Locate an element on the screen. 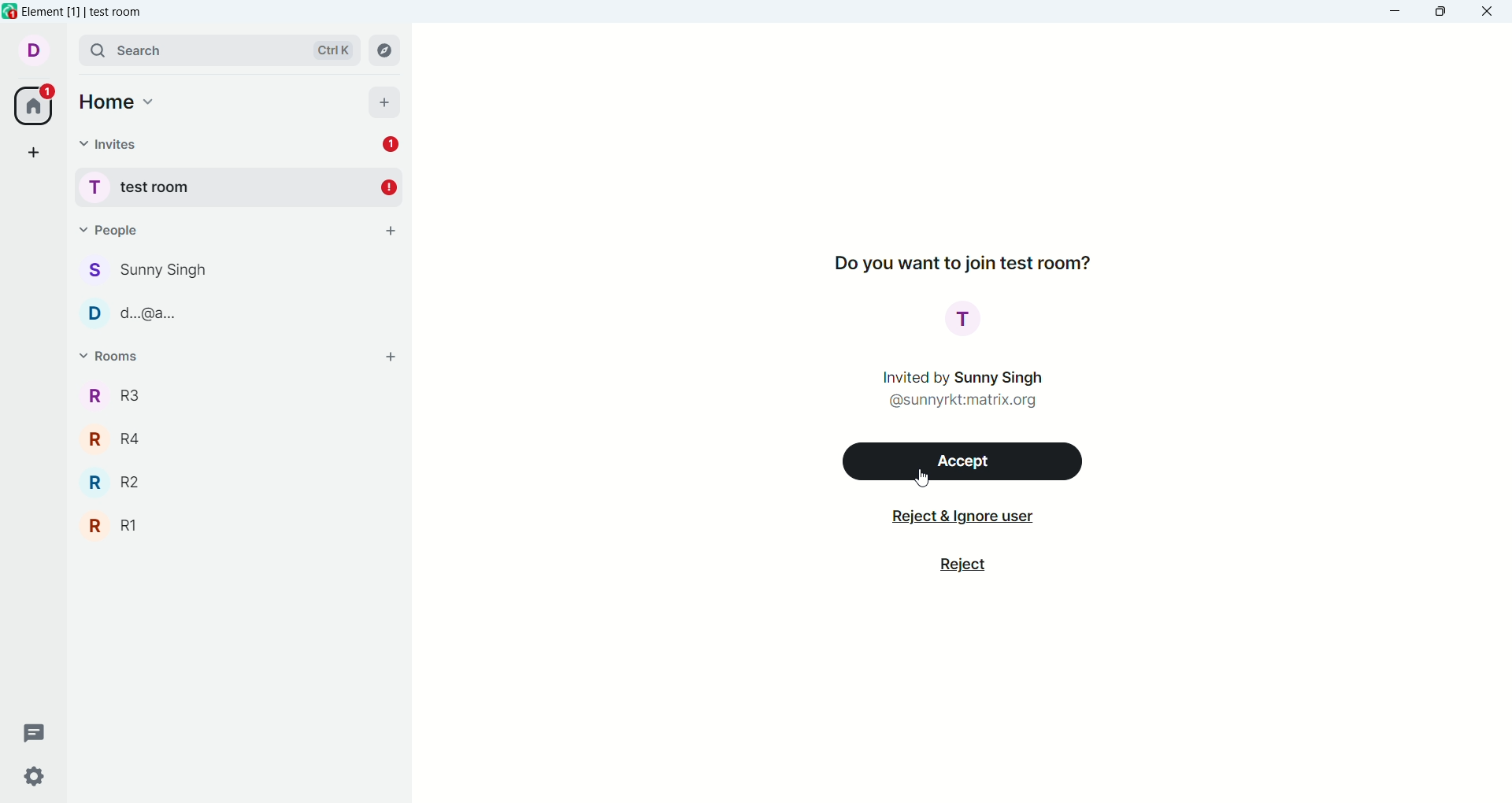 The height and width of the screenshot is (803, 1512). home is located at coordinates (119, 102).